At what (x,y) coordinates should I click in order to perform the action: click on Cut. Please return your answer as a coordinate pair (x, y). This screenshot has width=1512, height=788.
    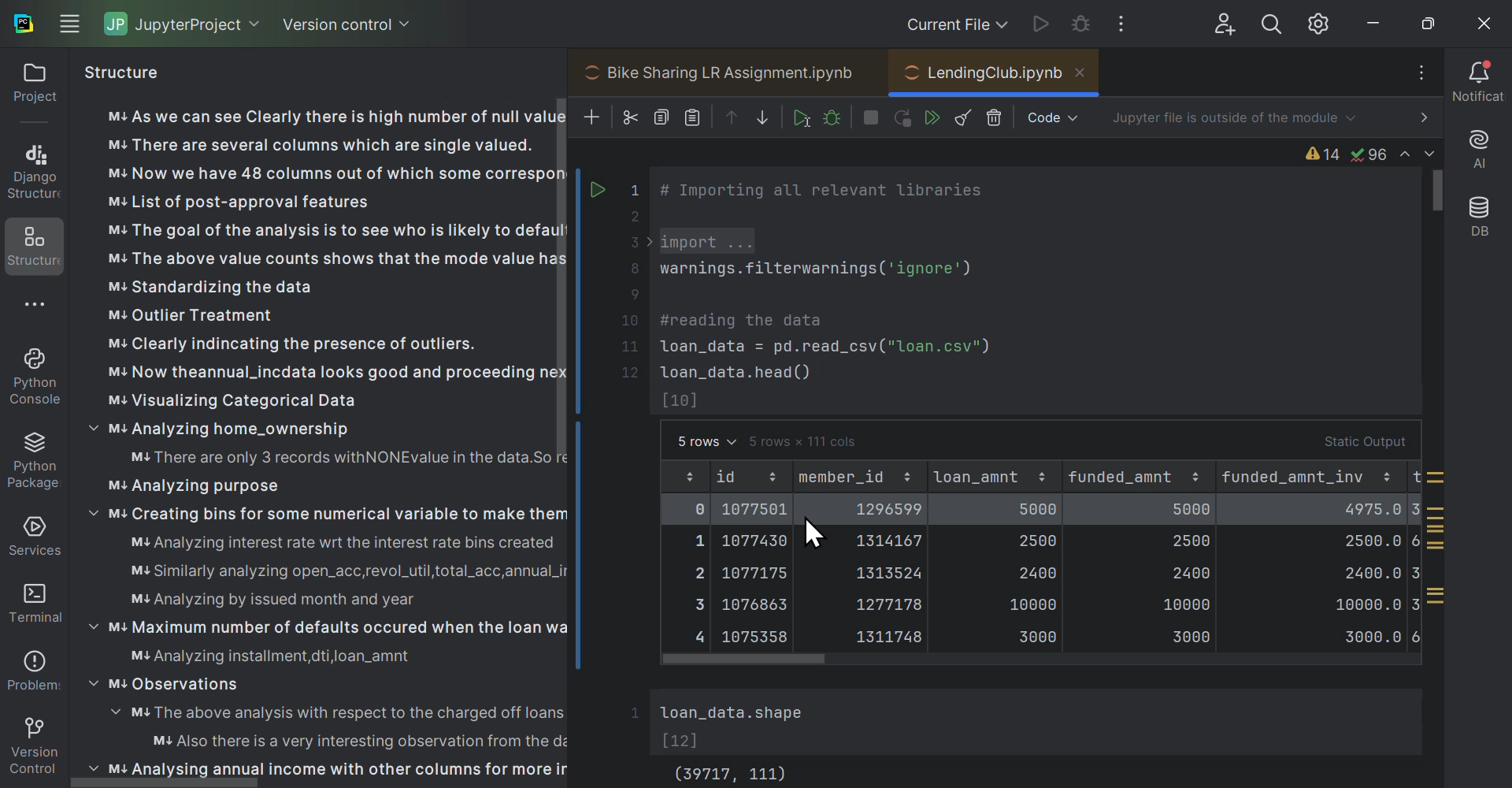
    Looking at the image, I should click on (630, 121).